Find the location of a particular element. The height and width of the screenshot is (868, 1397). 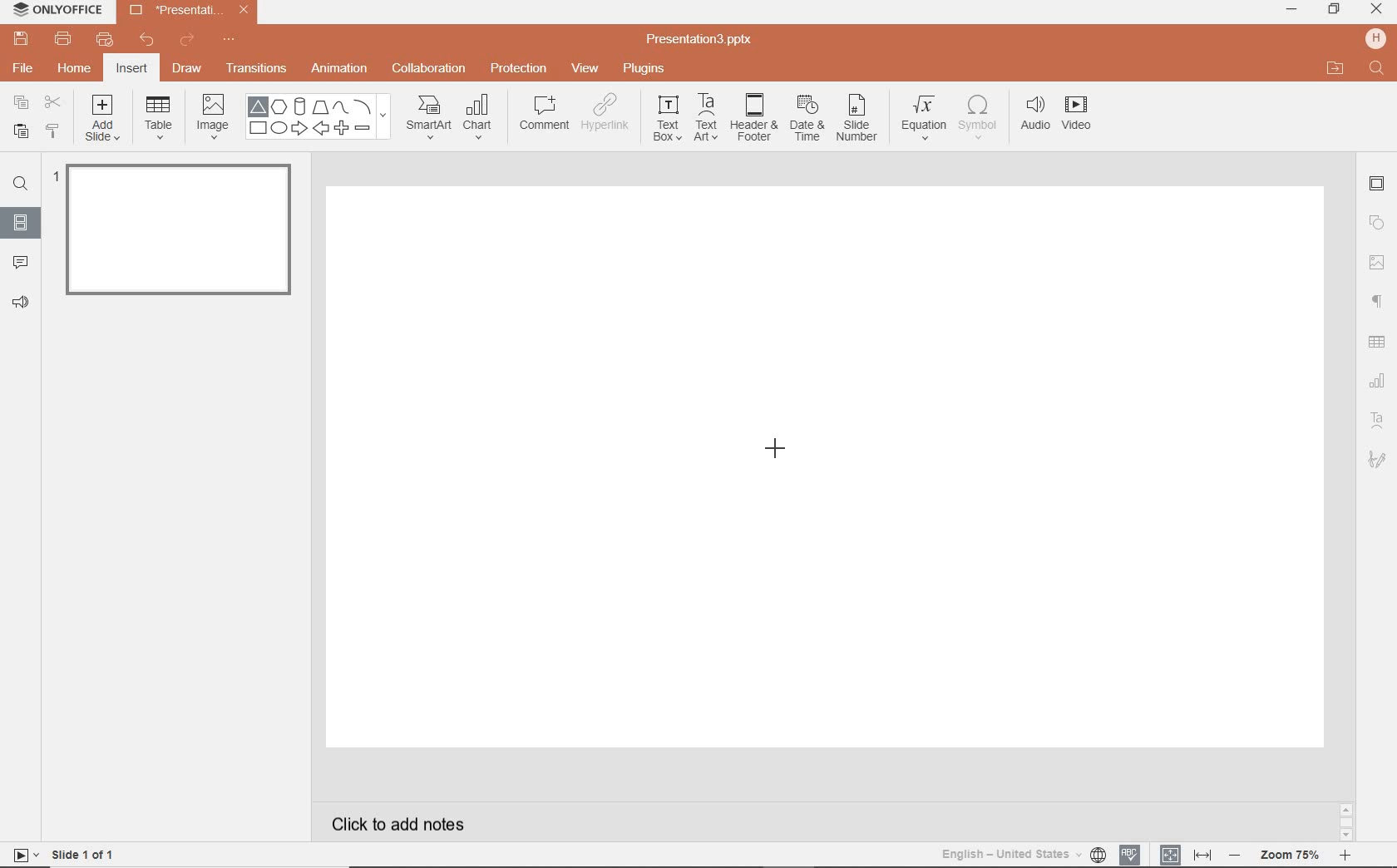

PLUGINS is located at coordinates (646, 67).